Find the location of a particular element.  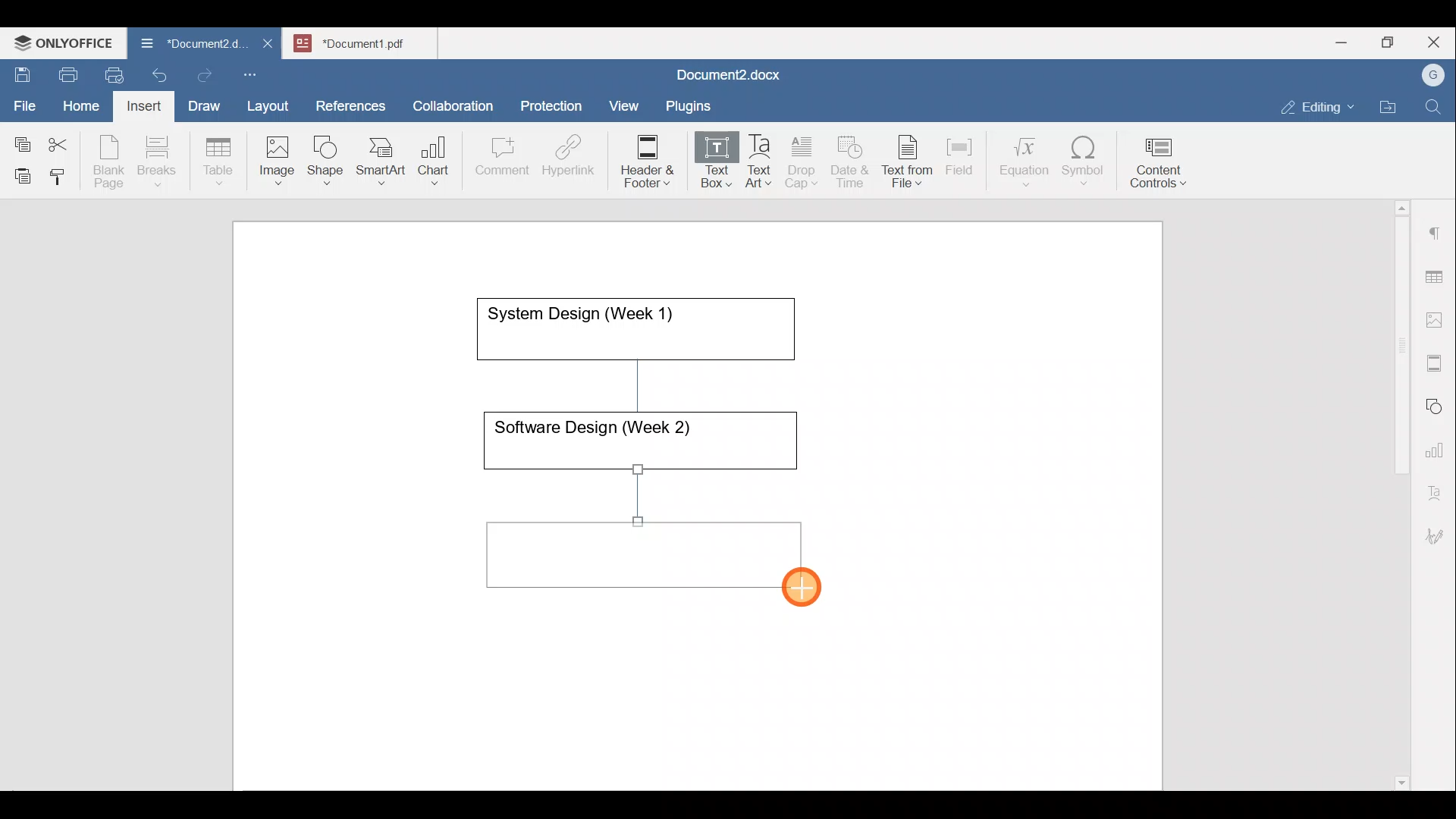

Chart settings is located at coordinates (1438, 444).